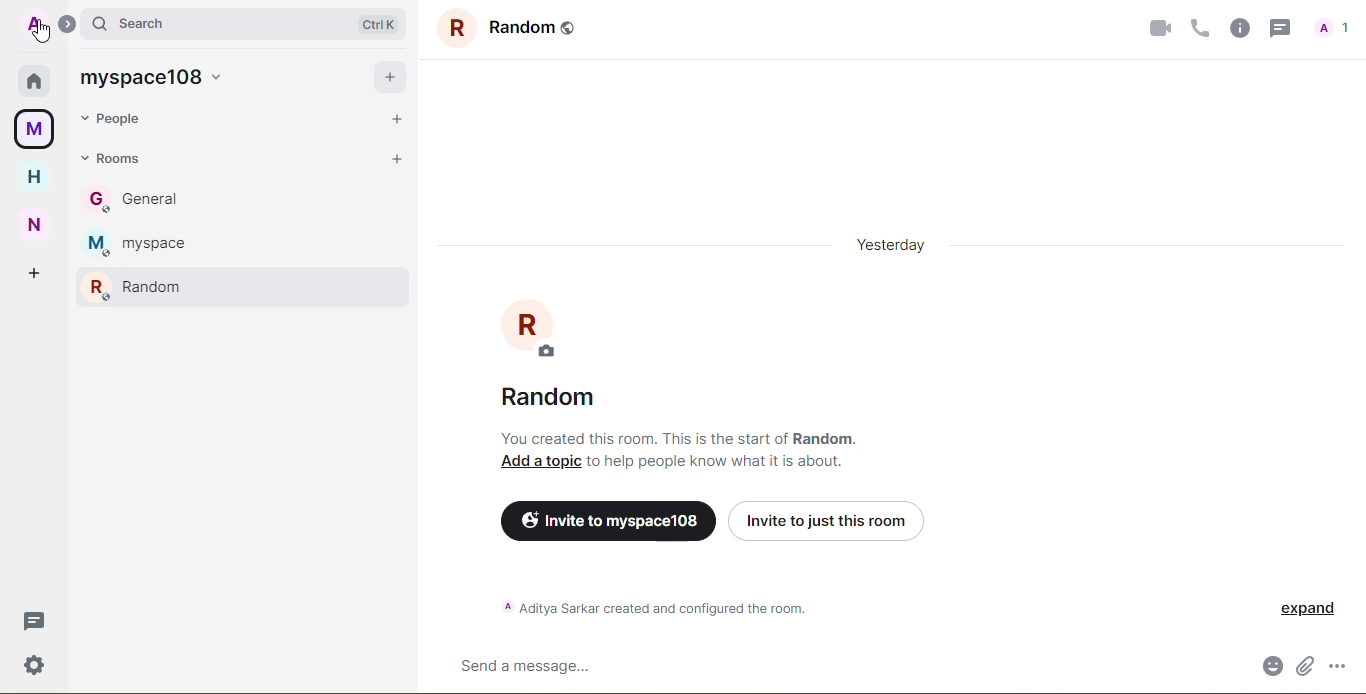 The image size is (1366, 694). I want to click on info, so click(717, 462).